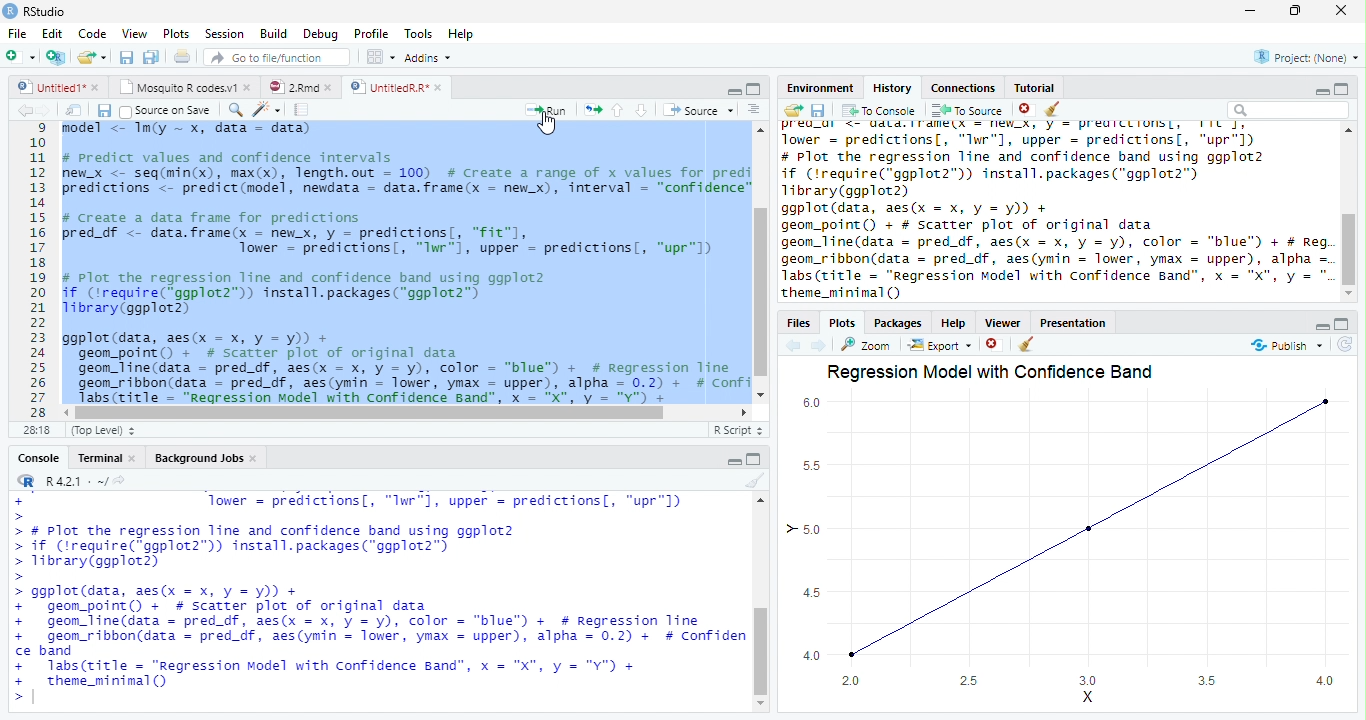 Image resolution: width=1366 pixels, height=720 pixels. I want to click on File, so click(15, 33).